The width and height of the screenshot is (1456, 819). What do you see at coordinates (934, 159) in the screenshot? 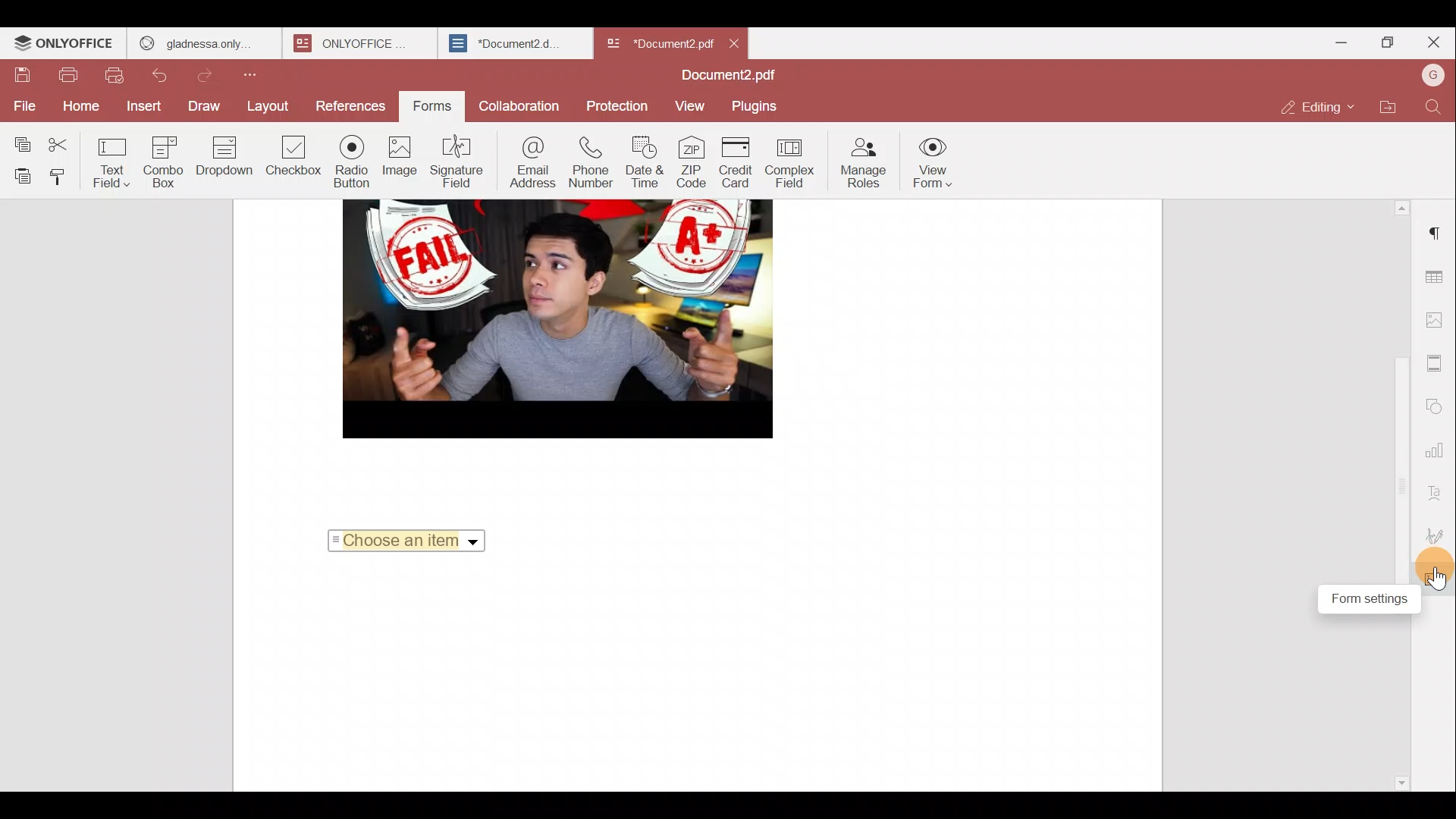
I see `View form` at bounding box center [934, 159].